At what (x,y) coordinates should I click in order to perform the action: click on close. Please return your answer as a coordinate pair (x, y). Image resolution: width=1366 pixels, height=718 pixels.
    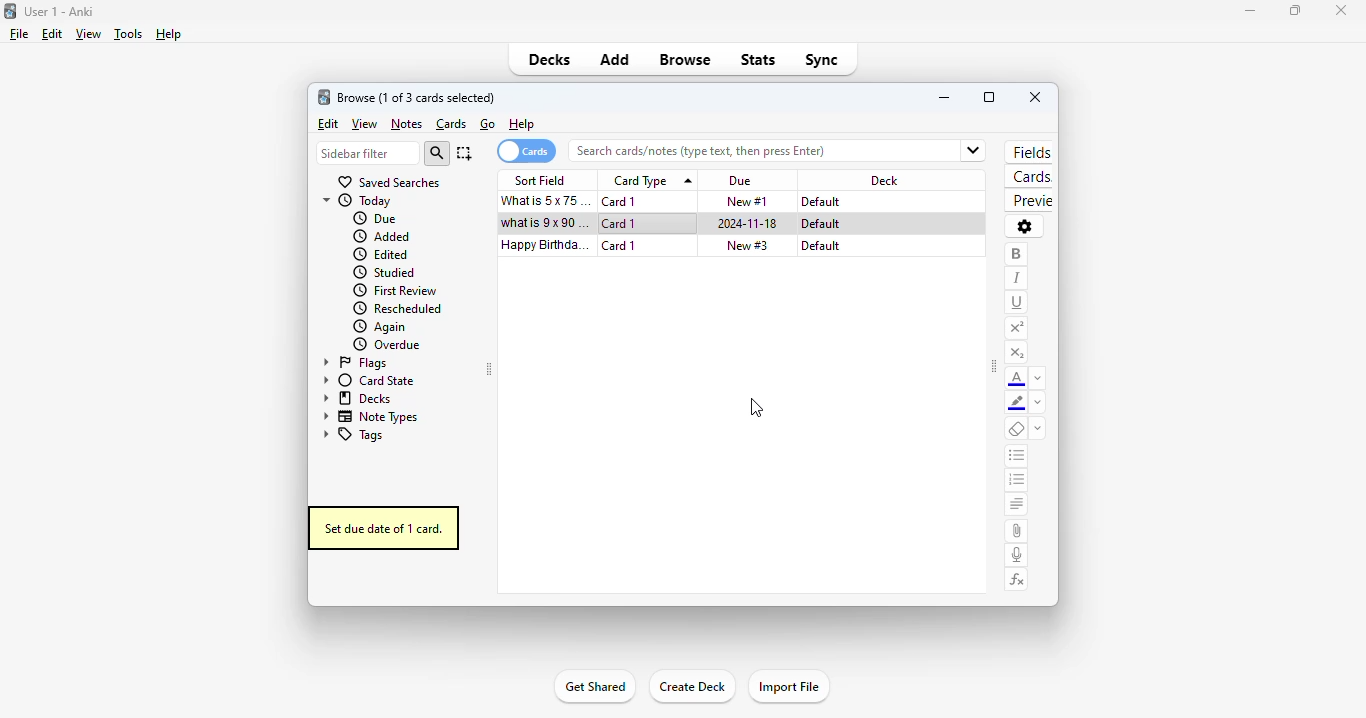
    Looking at the image, I should click on (1343, 11).